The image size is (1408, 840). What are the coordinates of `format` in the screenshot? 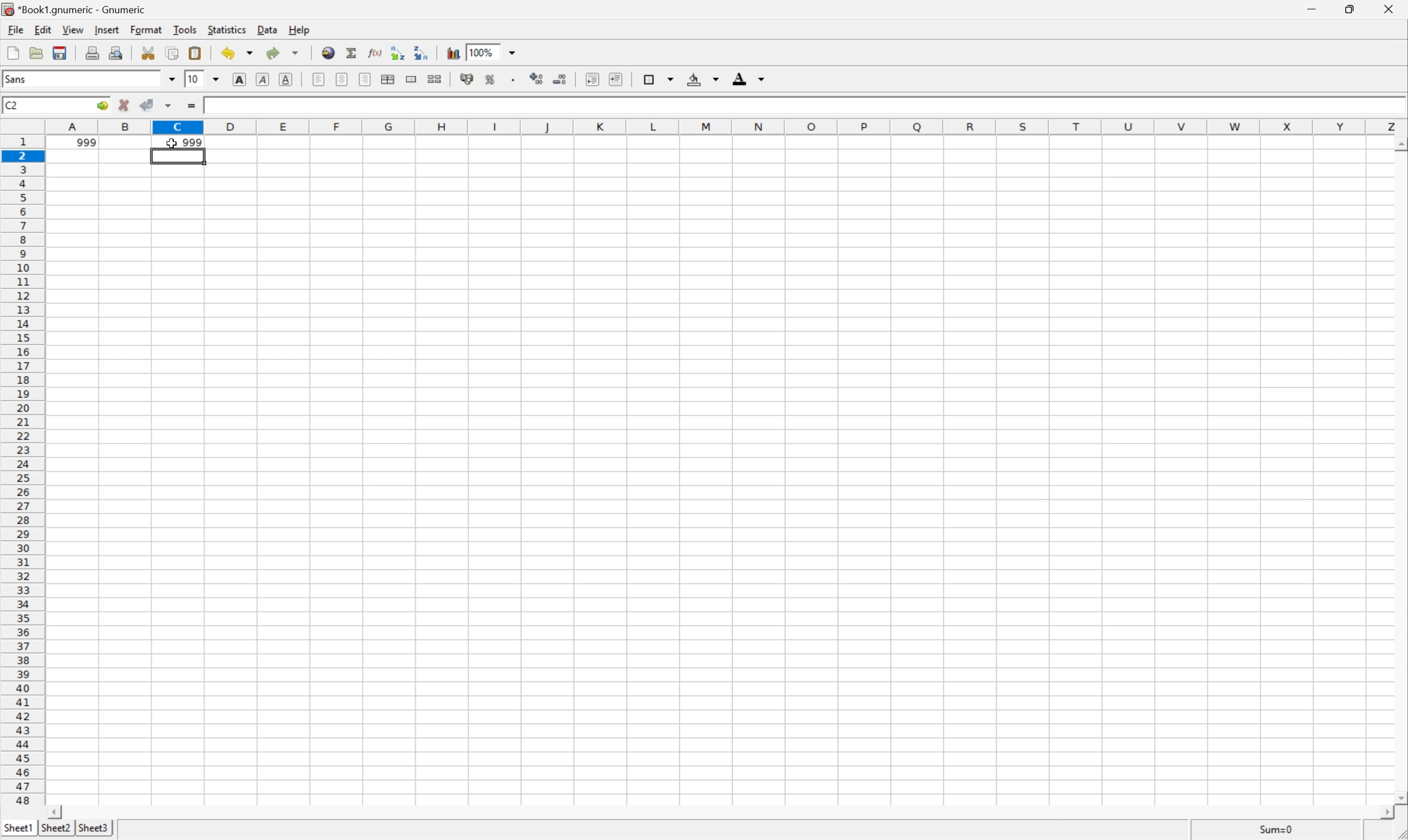 It's located at (147, 29).